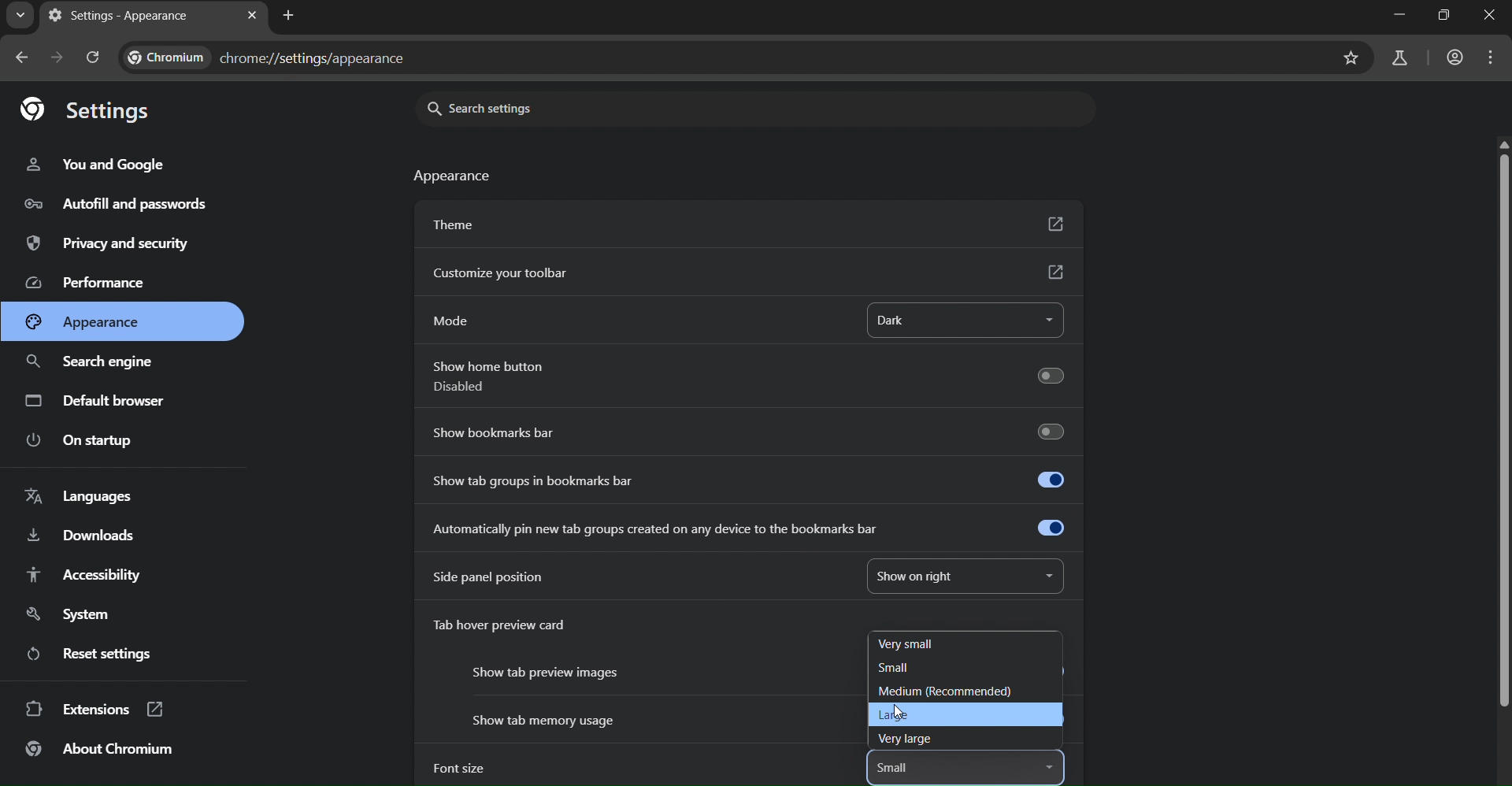 Image resolution: width=1512 pixels, height=786 pixels. Describe the element at coordinates (543, 721) in the screenshot. I see `show tab memoryusage` at that location.